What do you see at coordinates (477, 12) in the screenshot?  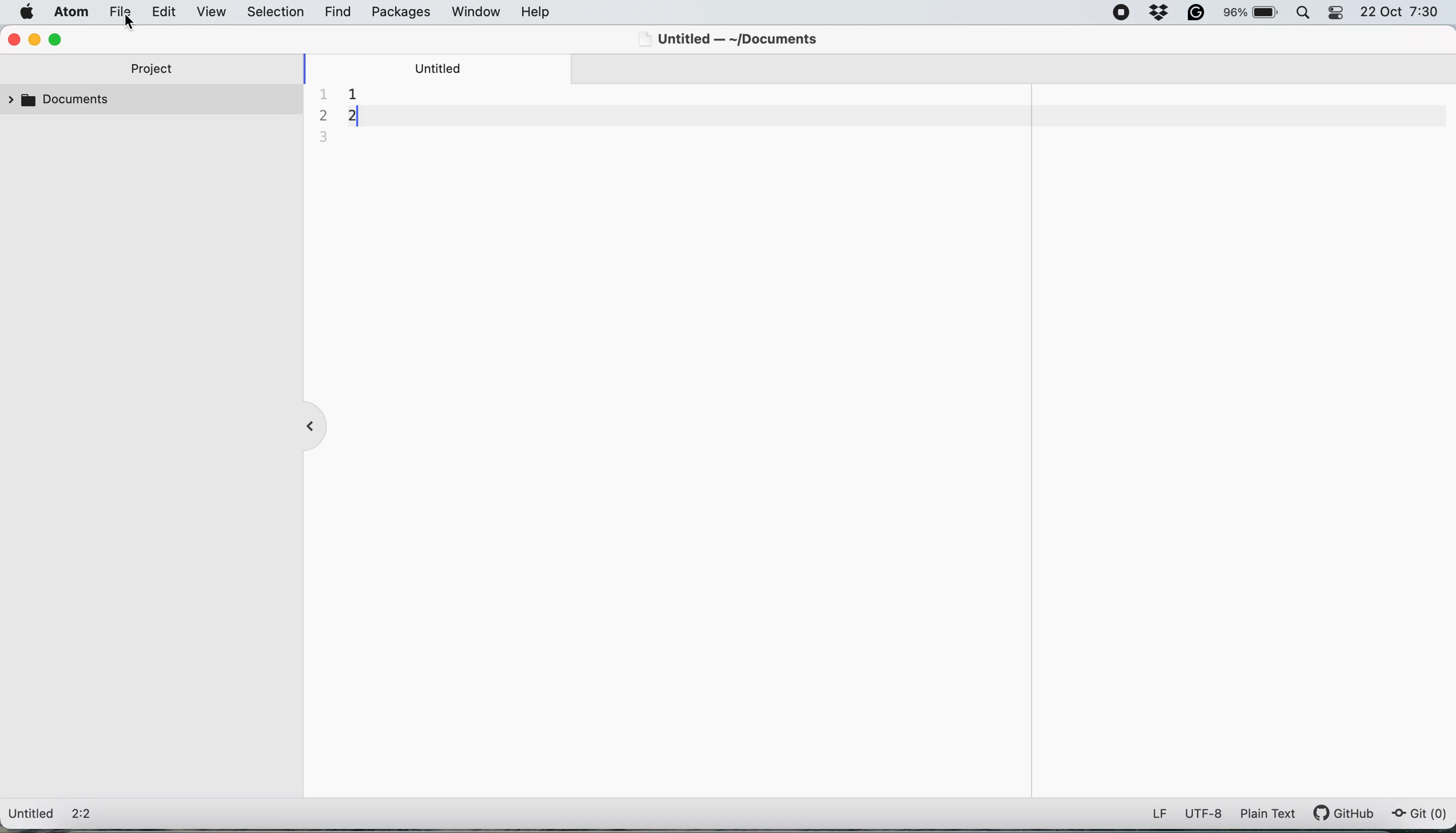 I see `window` at bounding box center [477, 12].